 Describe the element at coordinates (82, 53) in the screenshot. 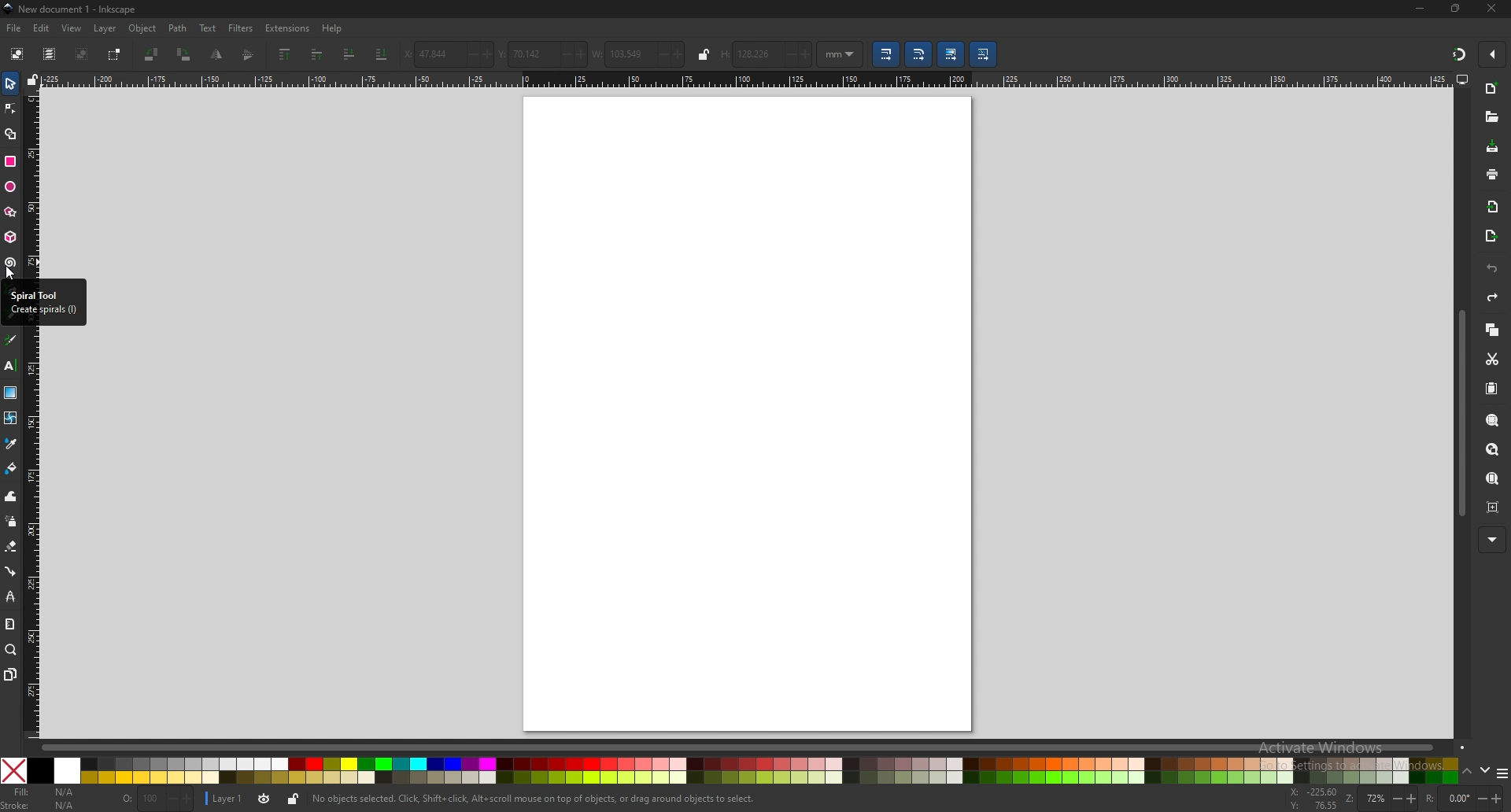

I see `deselect` at that location.